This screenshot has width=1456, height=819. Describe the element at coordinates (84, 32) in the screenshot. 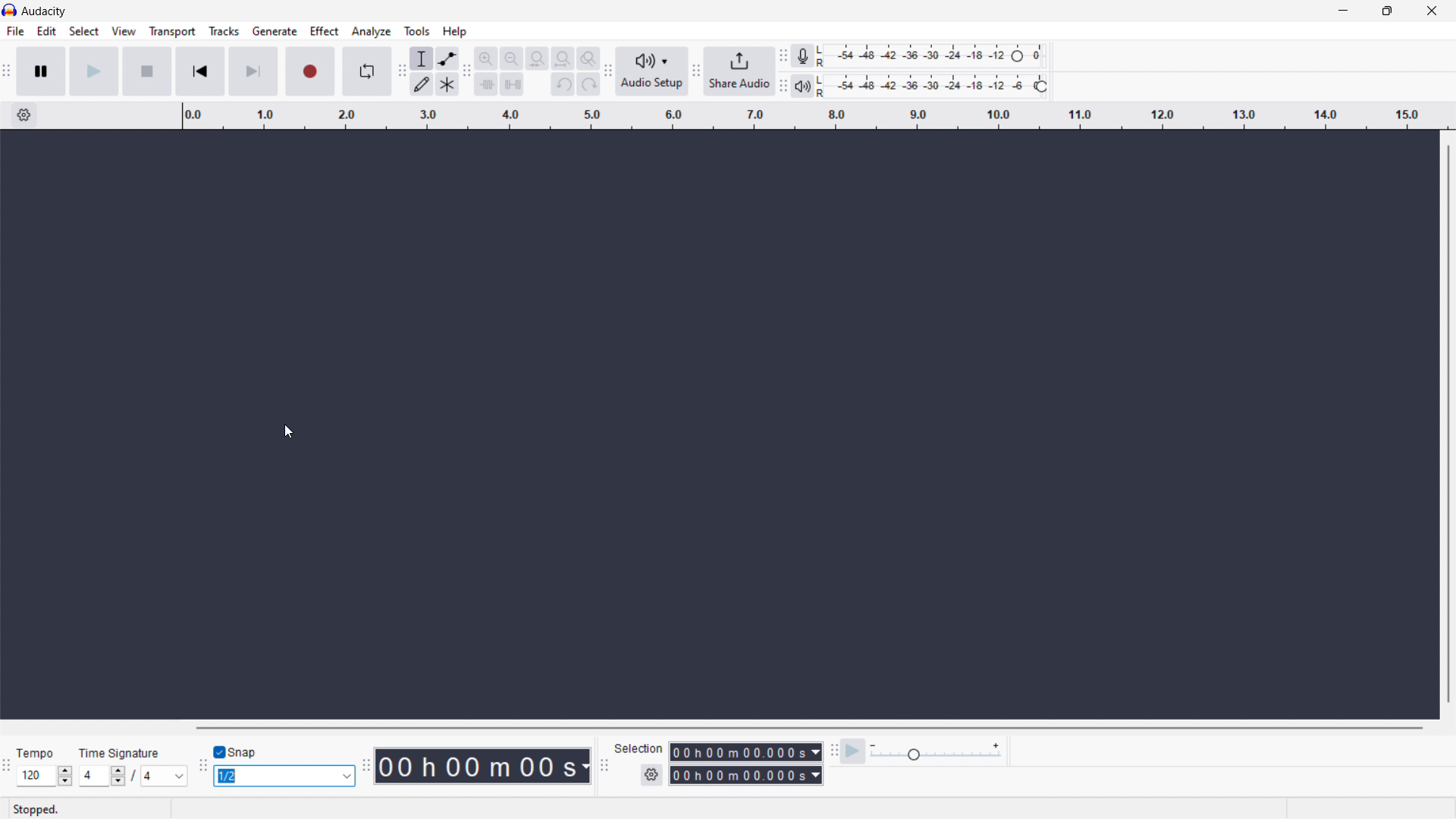

I see `select` at that location.